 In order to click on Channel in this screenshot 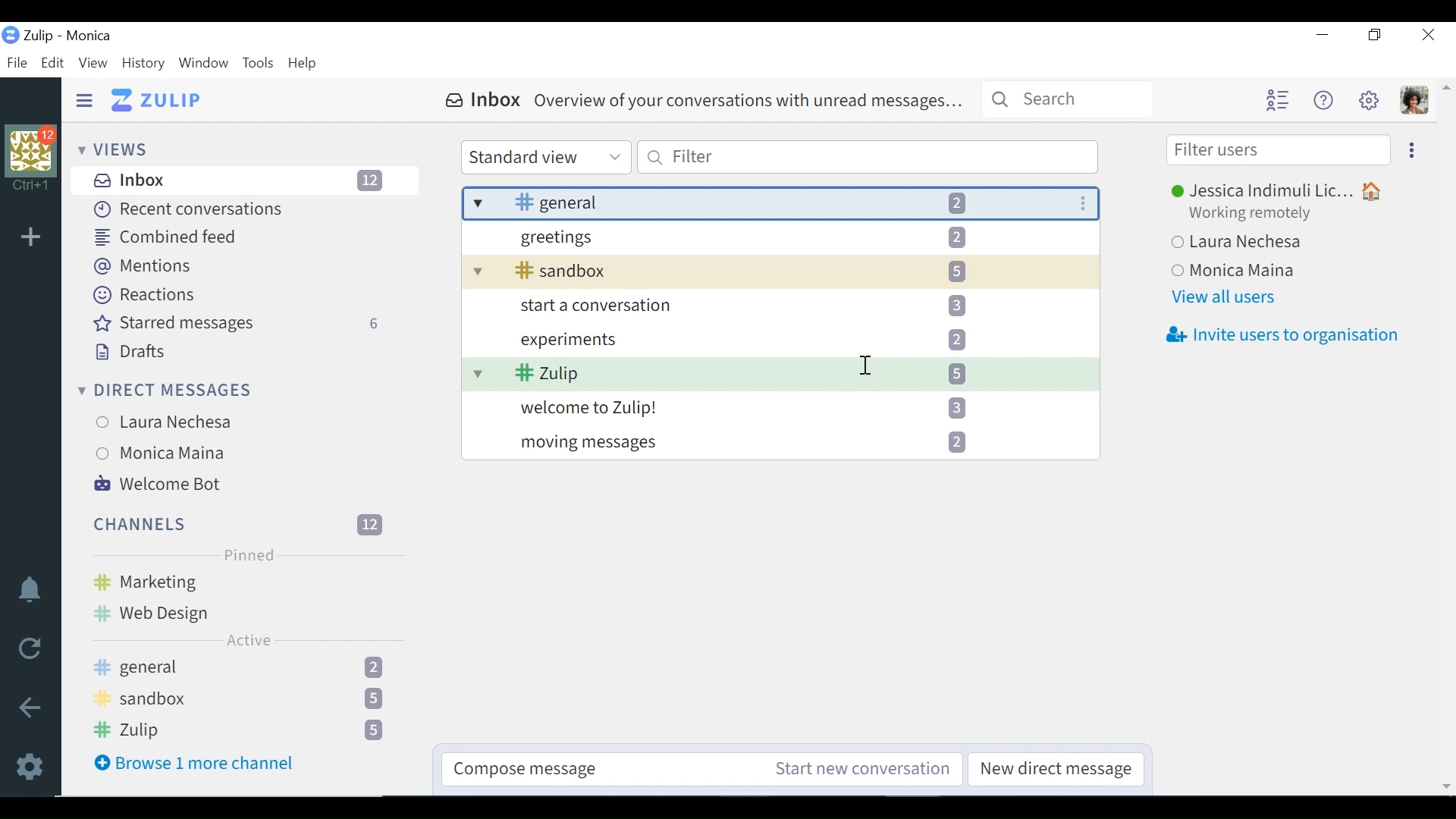, I will do `click(240, 526)`.